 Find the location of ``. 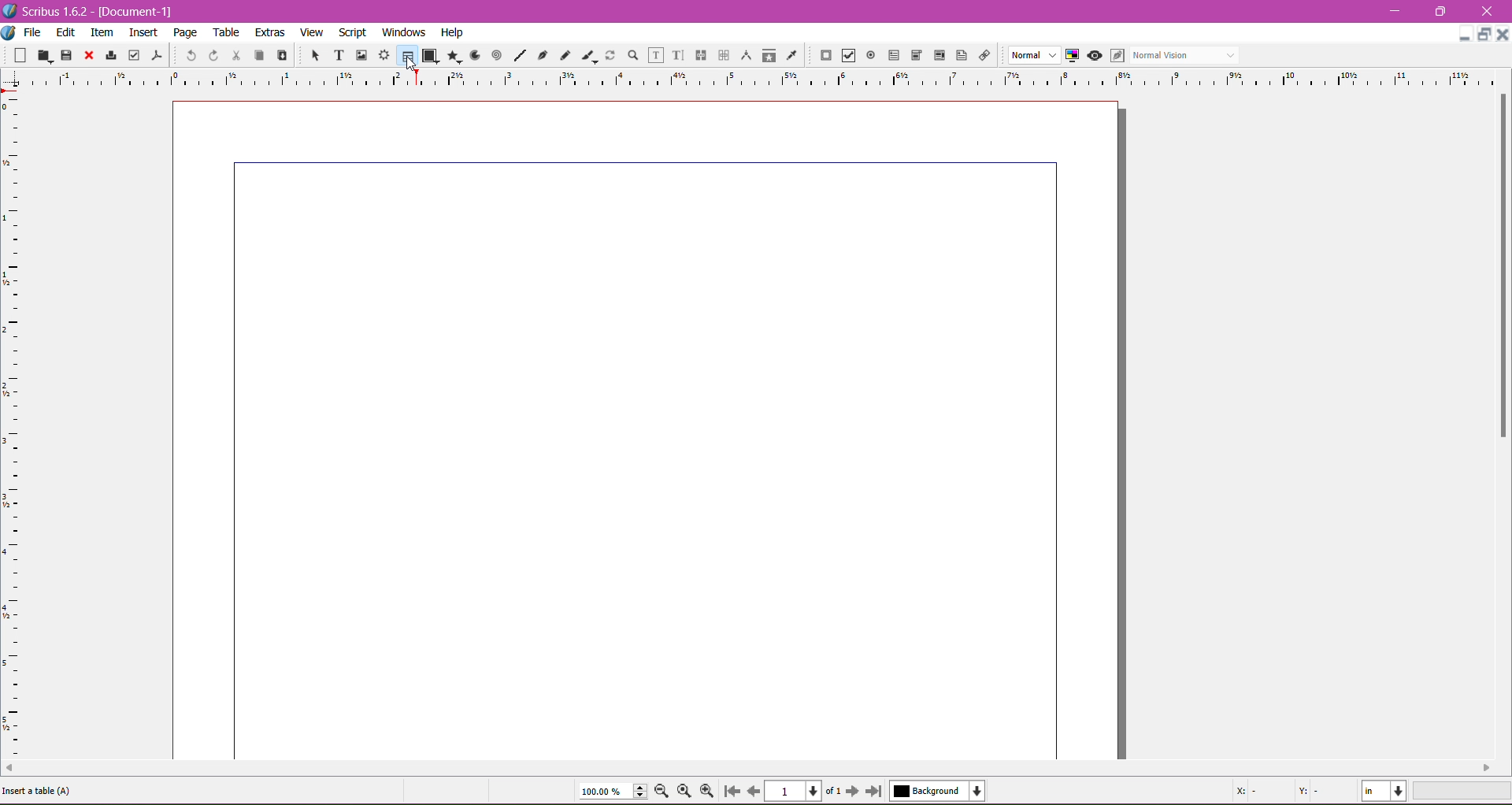

 is located at coordinates (352, 32).